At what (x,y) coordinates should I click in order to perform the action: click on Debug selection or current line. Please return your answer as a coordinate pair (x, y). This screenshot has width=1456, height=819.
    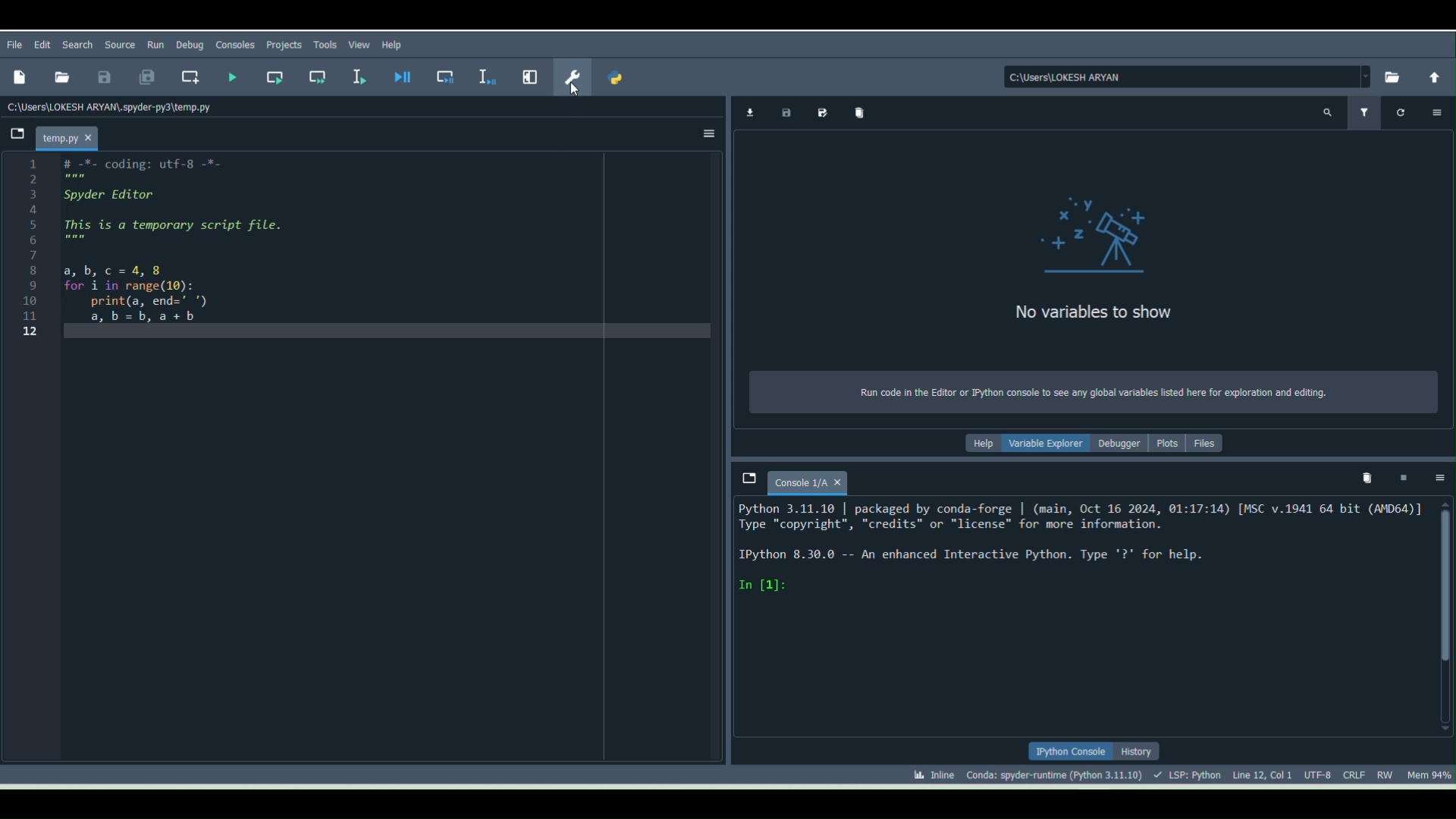
    Looking at the image, I should click on (485, 74).